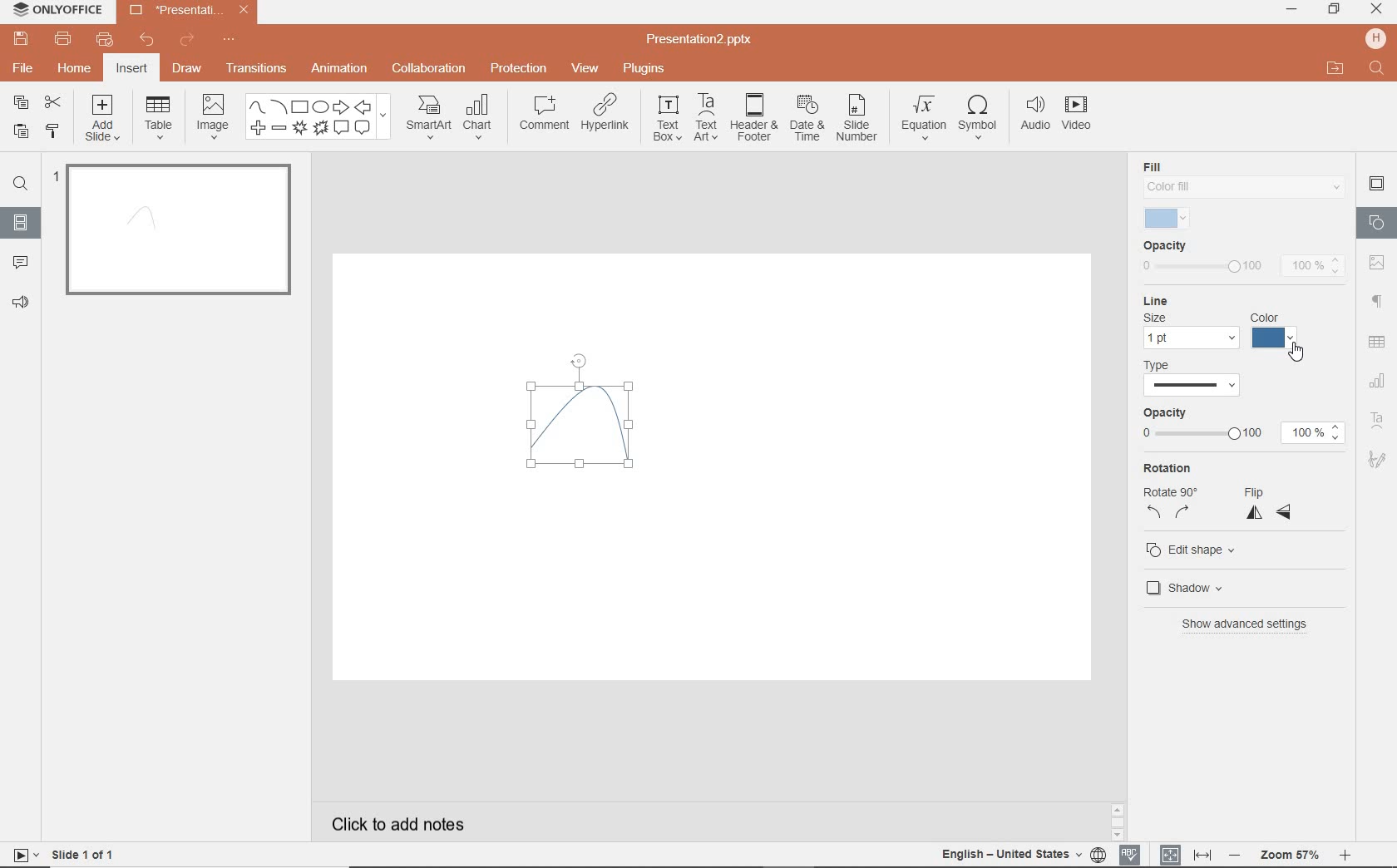 The image size is (1397, 868). Describe the element at coordinates (587, 411) in the screenshot. I see `curve drawn` at that location.